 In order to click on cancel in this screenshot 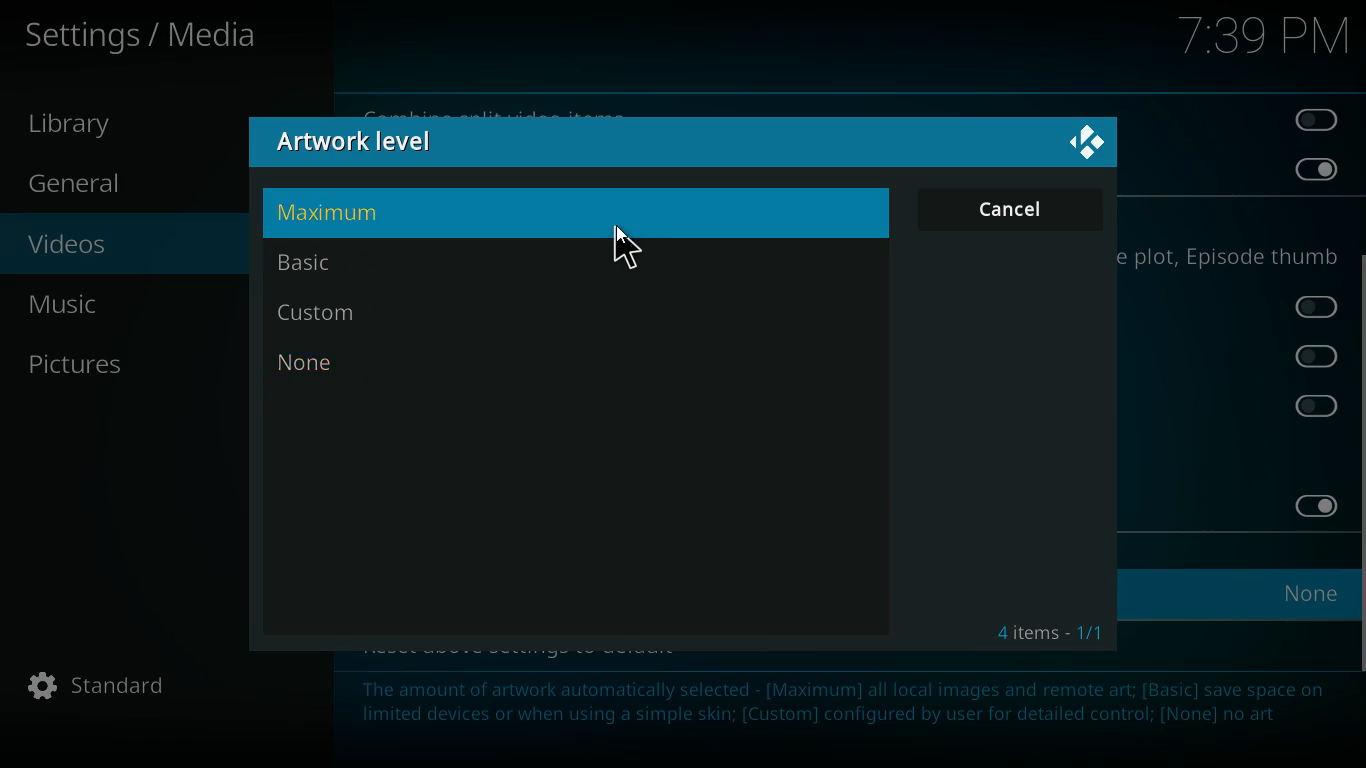, I will do `click(1011, 208)`.